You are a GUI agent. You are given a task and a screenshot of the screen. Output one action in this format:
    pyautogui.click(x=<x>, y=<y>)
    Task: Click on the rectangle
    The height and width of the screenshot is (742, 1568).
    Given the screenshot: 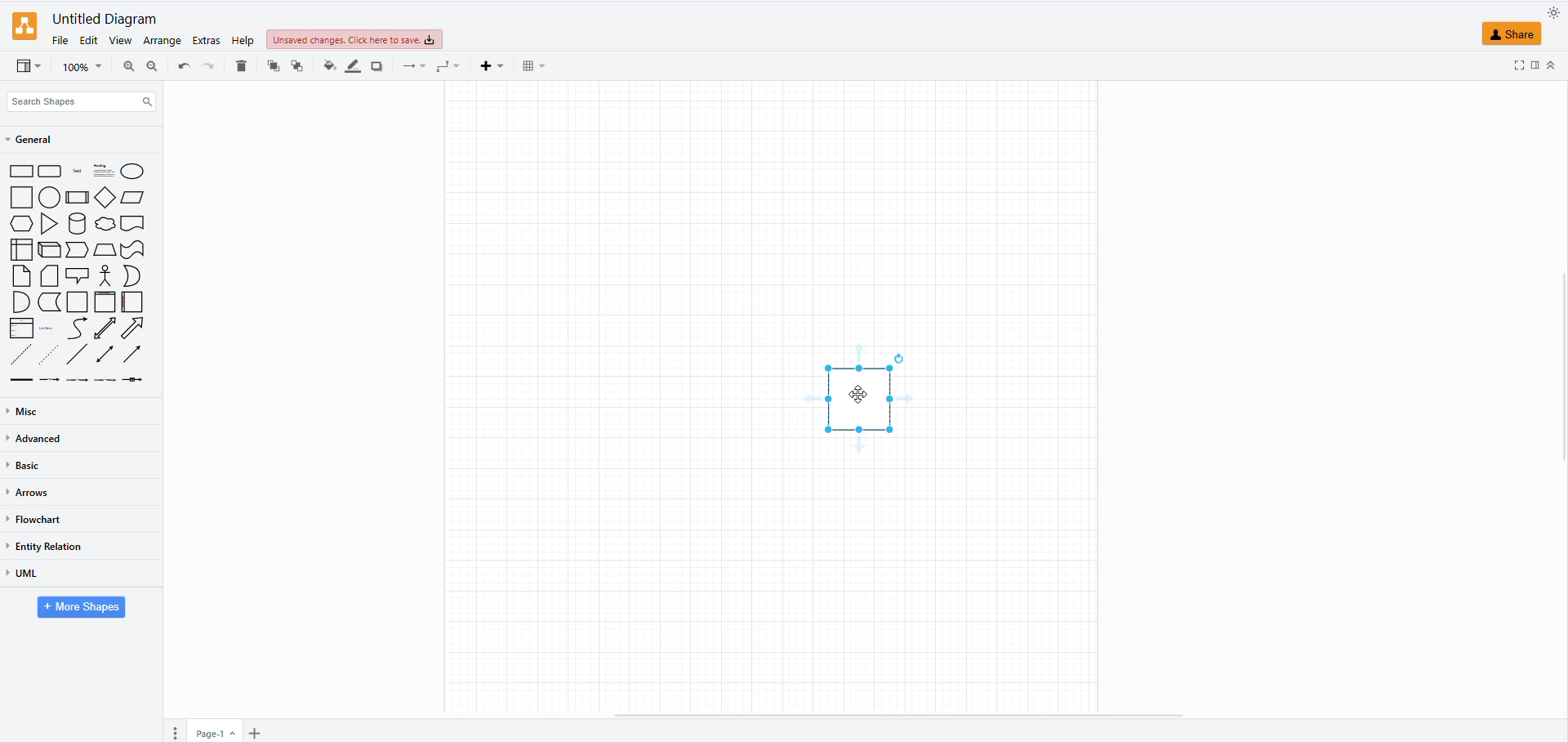 What is the action you would take?
    pyautogui.click(x=21, y=172)
    